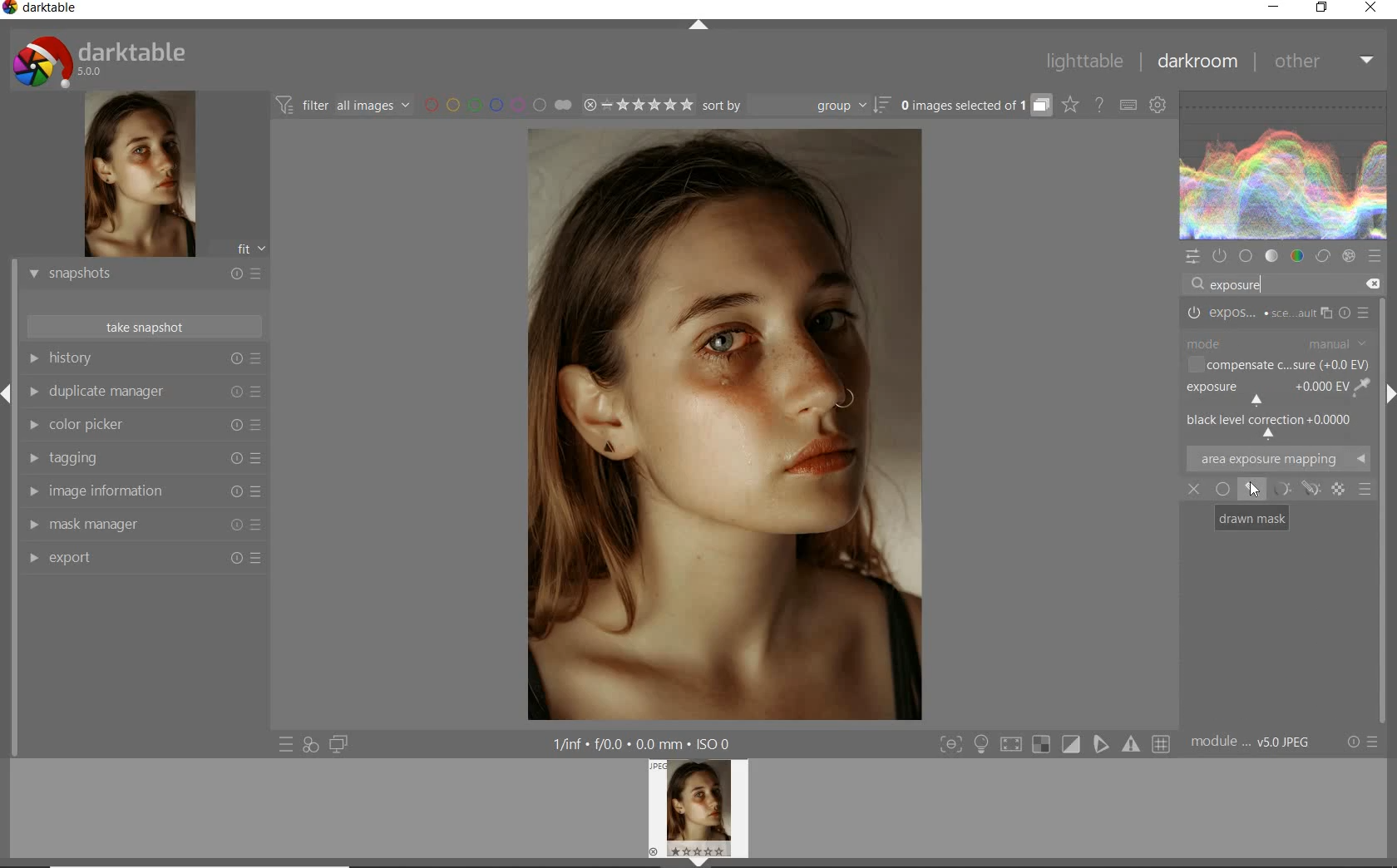 Image resolution: width=1397 pixels, height=868 pixels. What do you see at coordinates (498, 106) in the screenshot?
I see `filter by image color` at bounding box center [498, 106].